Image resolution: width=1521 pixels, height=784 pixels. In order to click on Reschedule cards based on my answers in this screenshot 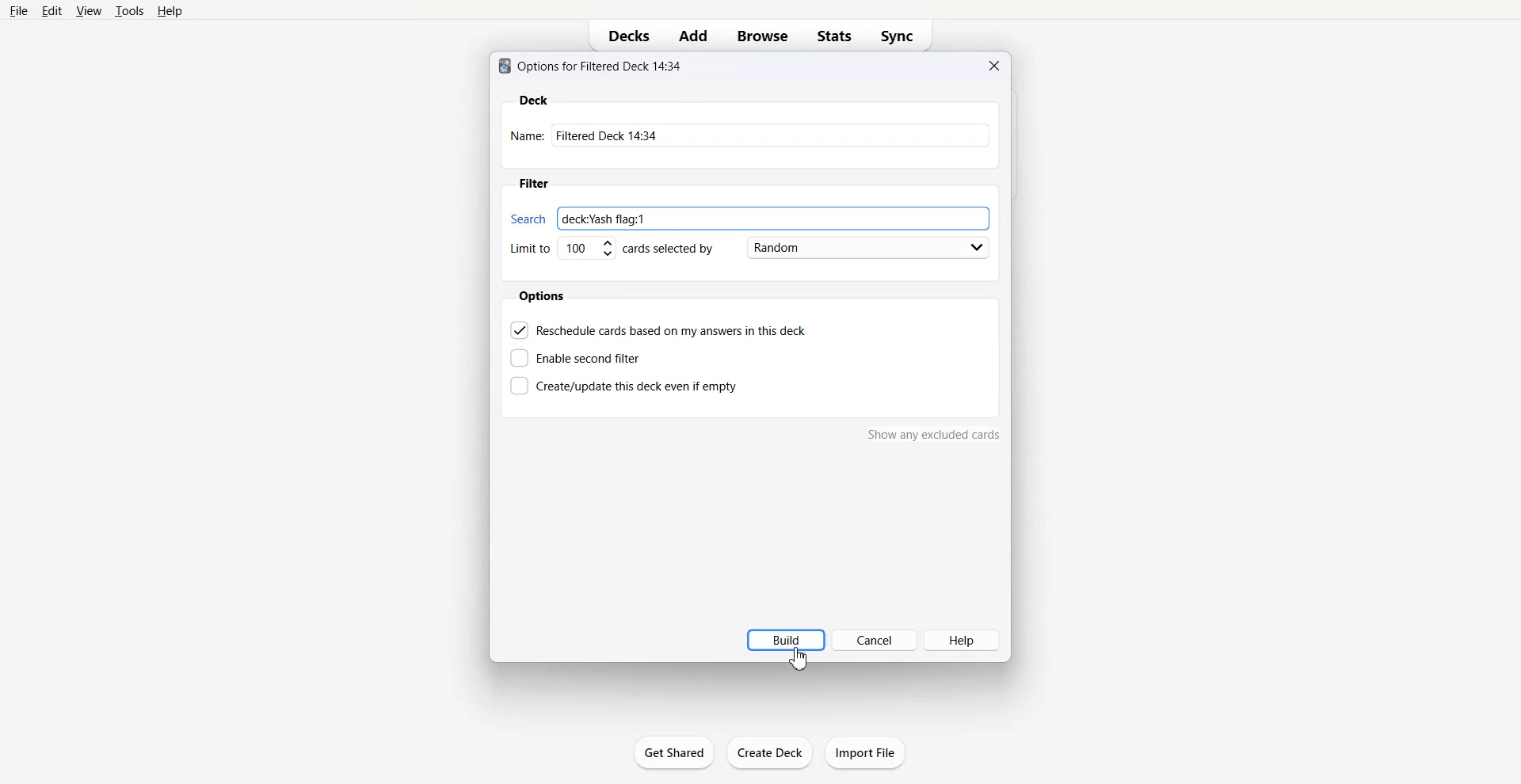, I will do `click(661, 330)`.